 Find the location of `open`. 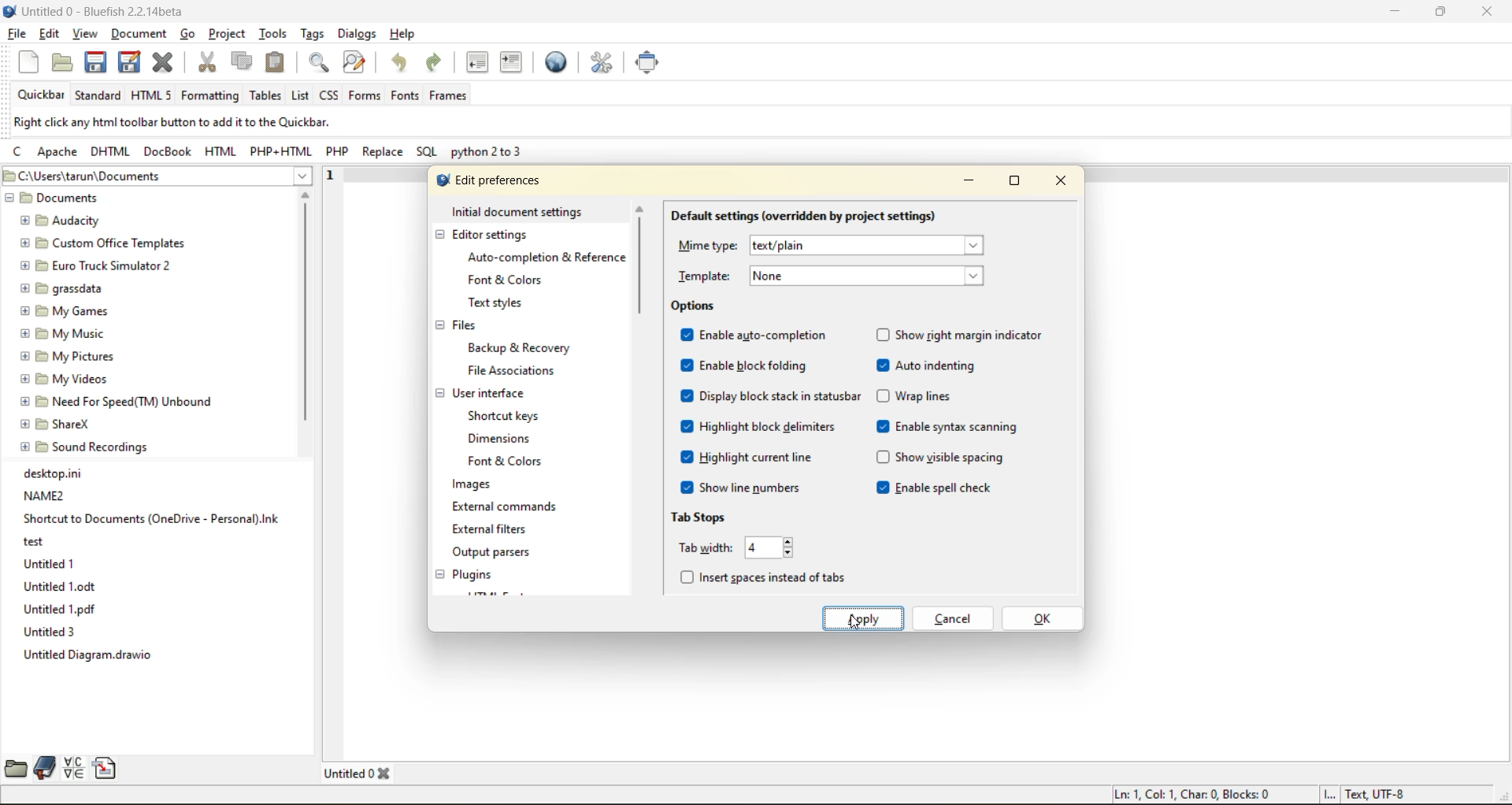

open is located at coordinates (61, 63).